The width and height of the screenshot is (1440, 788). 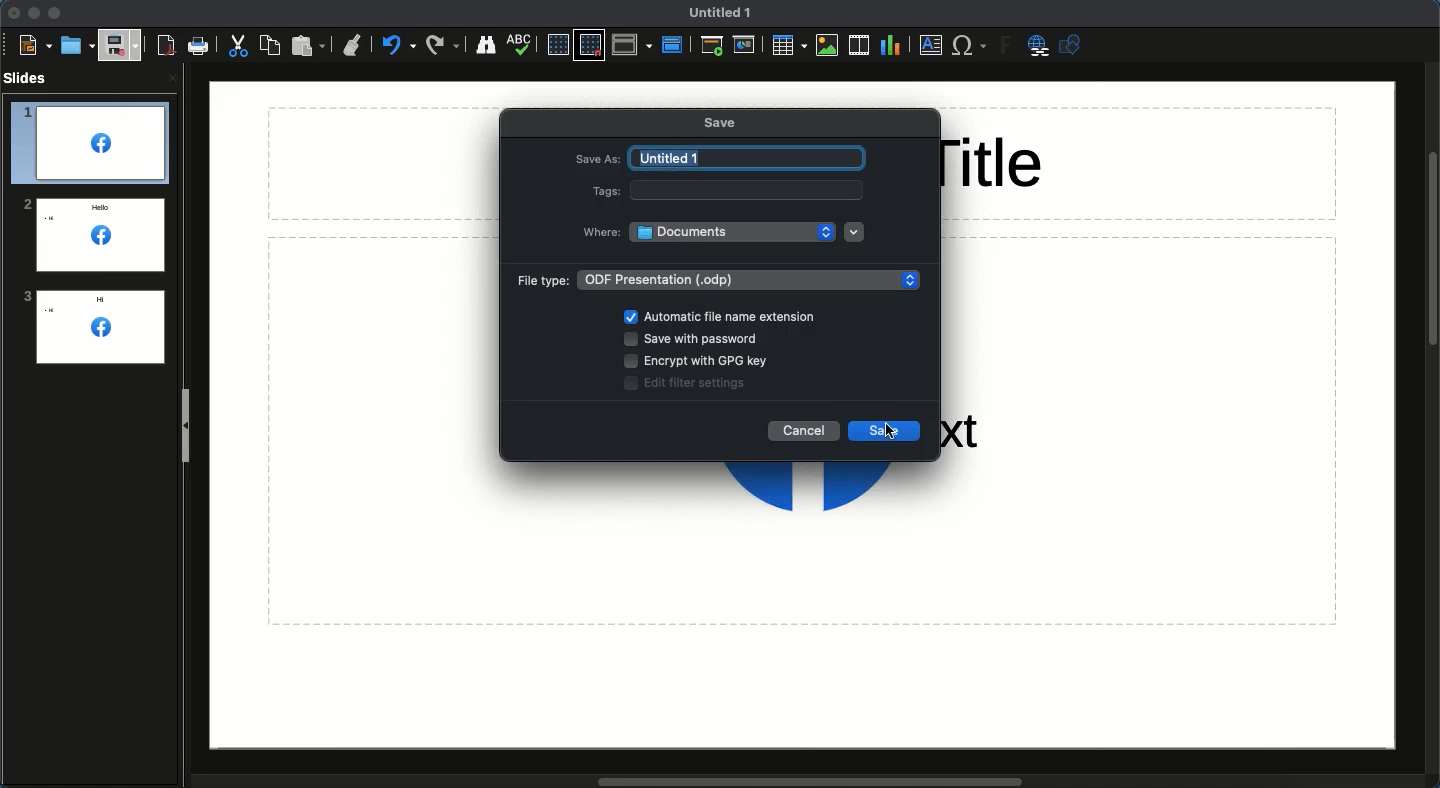 What do you see at coordinates (699, 340) in the screenshot?
I see `Save with password` at bounding box center [699, 340].